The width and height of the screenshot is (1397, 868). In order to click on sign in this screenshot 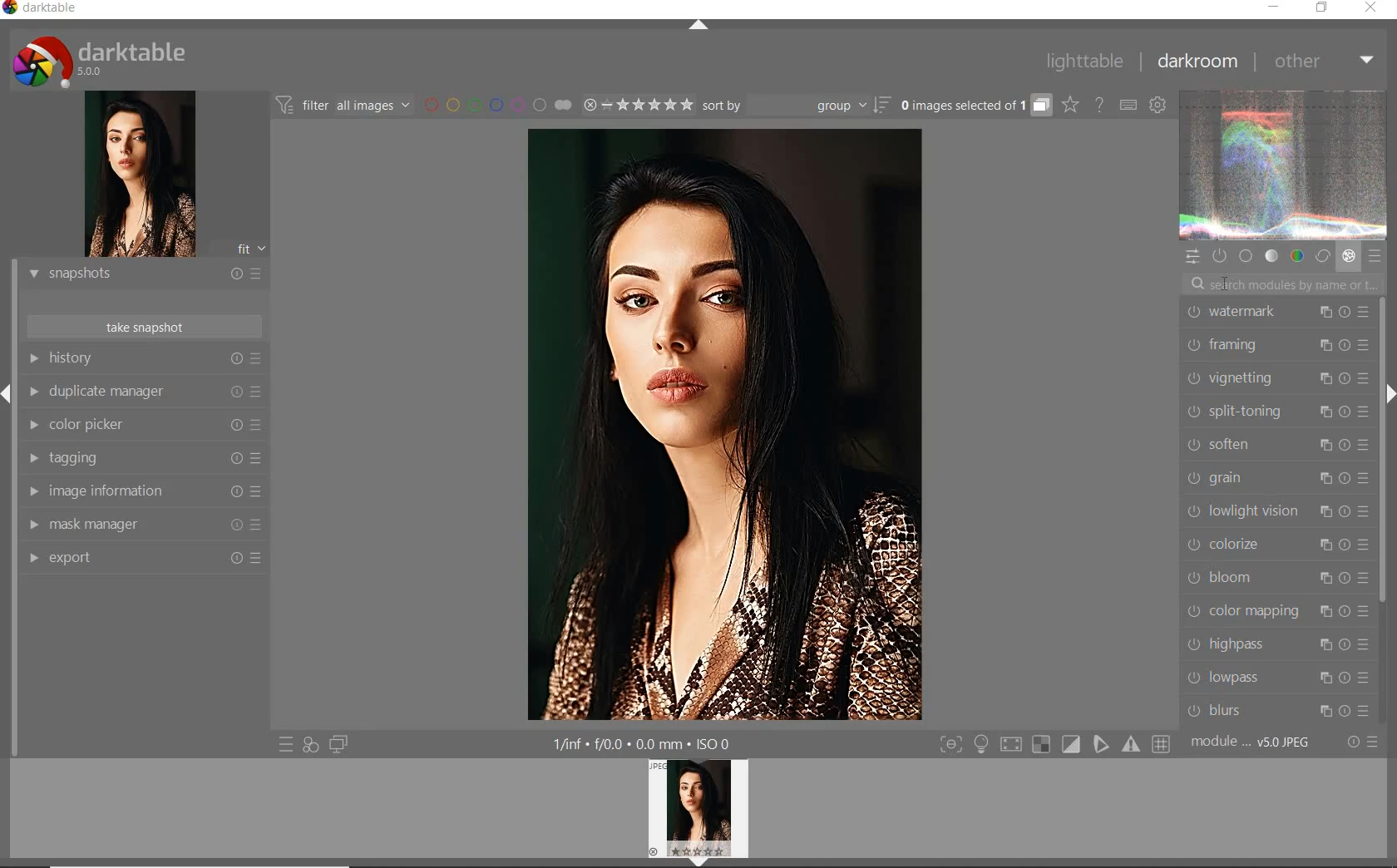, I will do `click(1103, 745)`.